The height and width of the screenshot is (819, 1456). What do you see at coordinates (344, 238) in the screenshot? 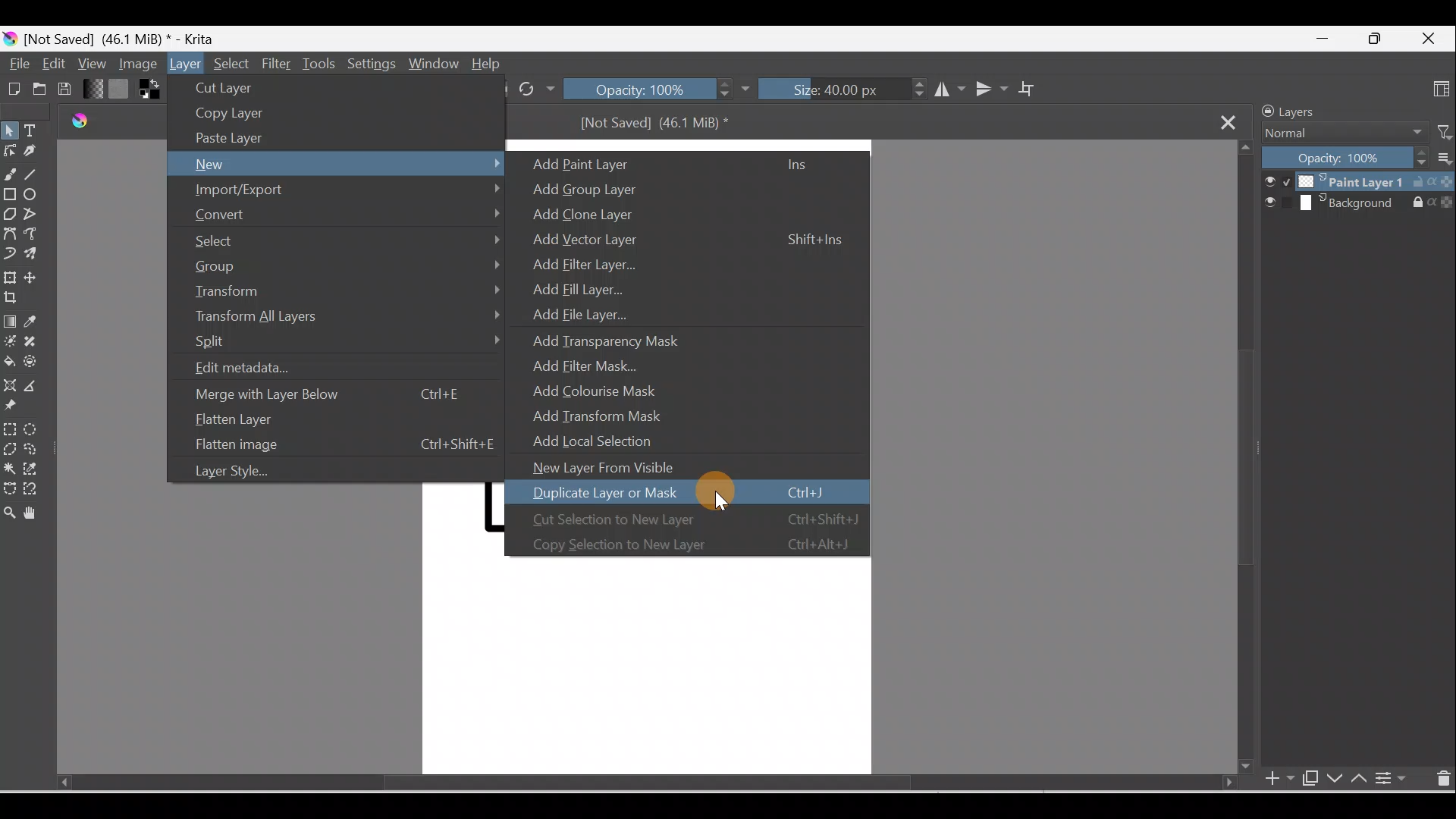
I see `Select` at bounding box center [344, 238].